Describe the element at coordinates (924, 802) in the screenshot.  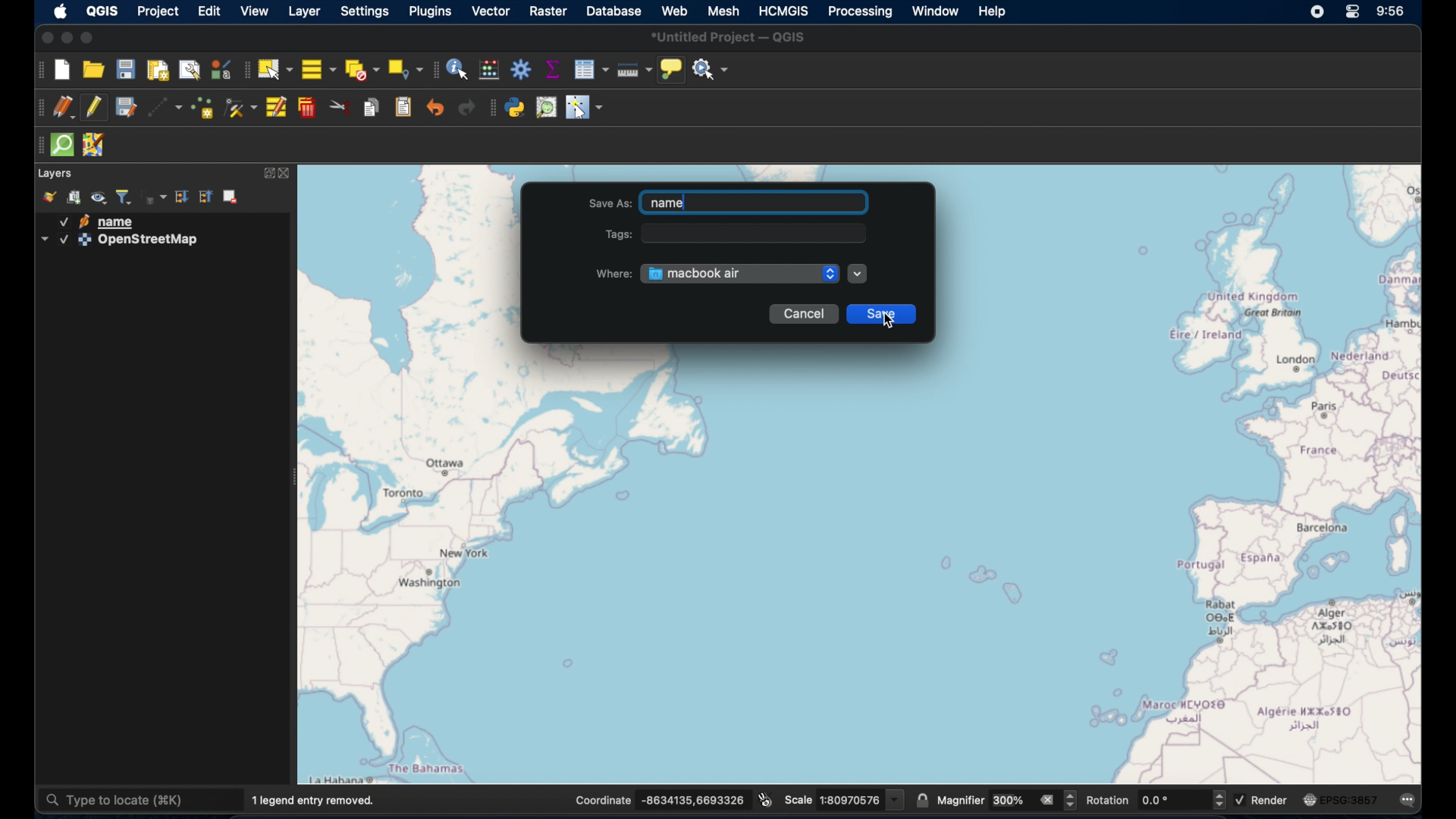
I see `lock scale` at that location.